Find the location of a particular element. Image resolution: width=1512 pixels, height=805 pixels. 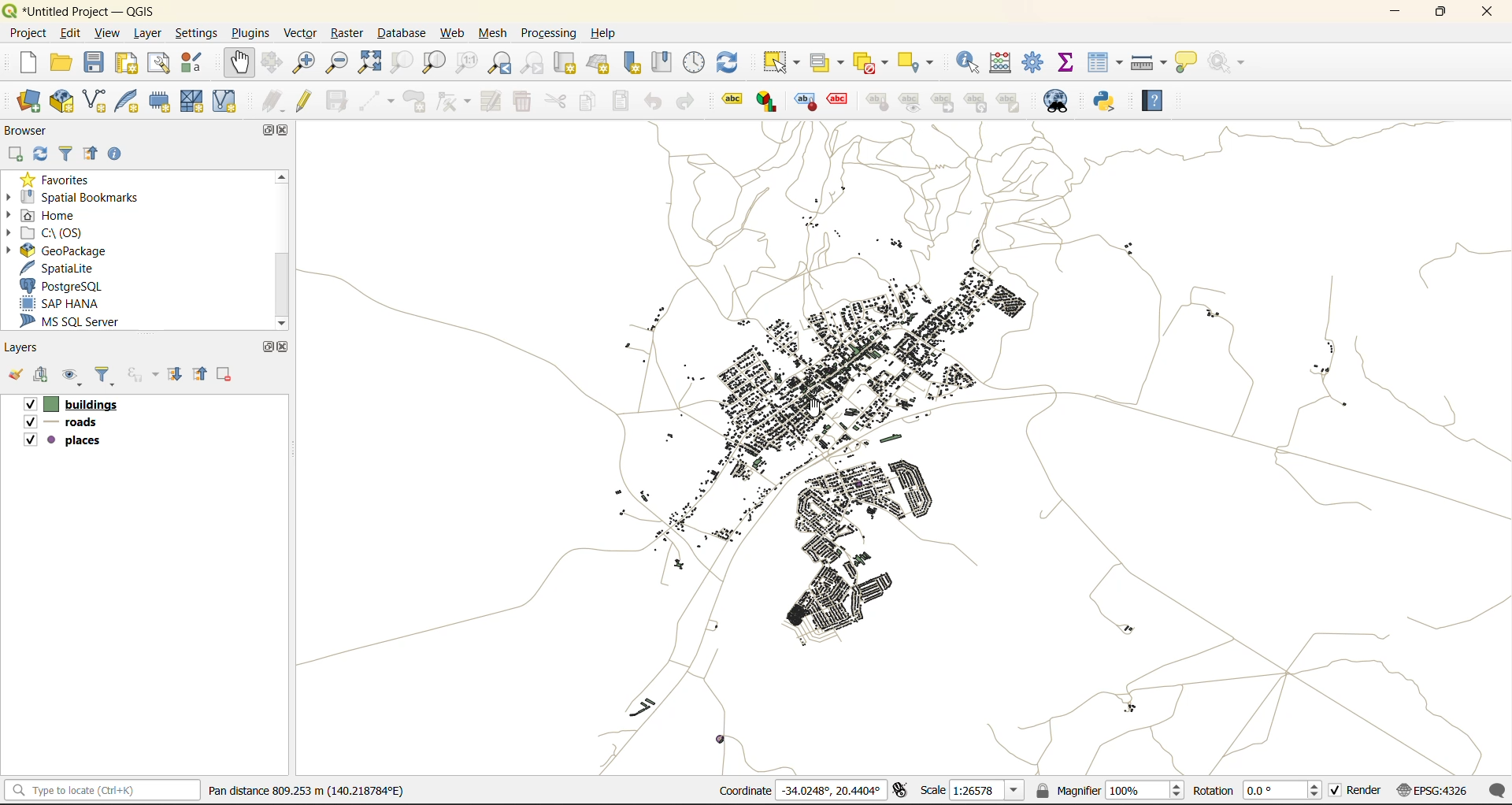

web is located at coordinates (454, 32).